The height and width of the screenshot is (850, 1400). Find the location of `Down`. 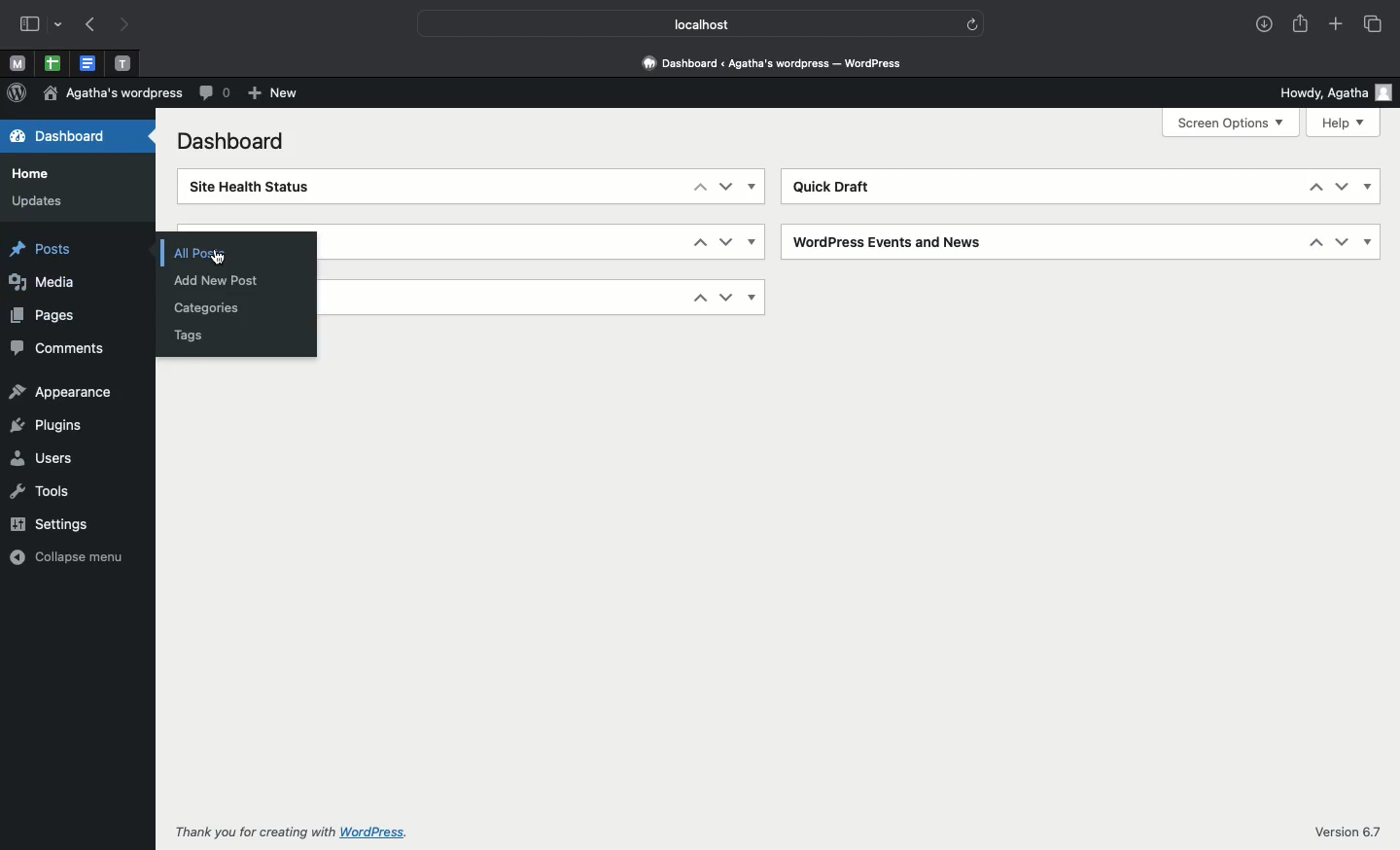

Down is located at coordinates (726, 186).